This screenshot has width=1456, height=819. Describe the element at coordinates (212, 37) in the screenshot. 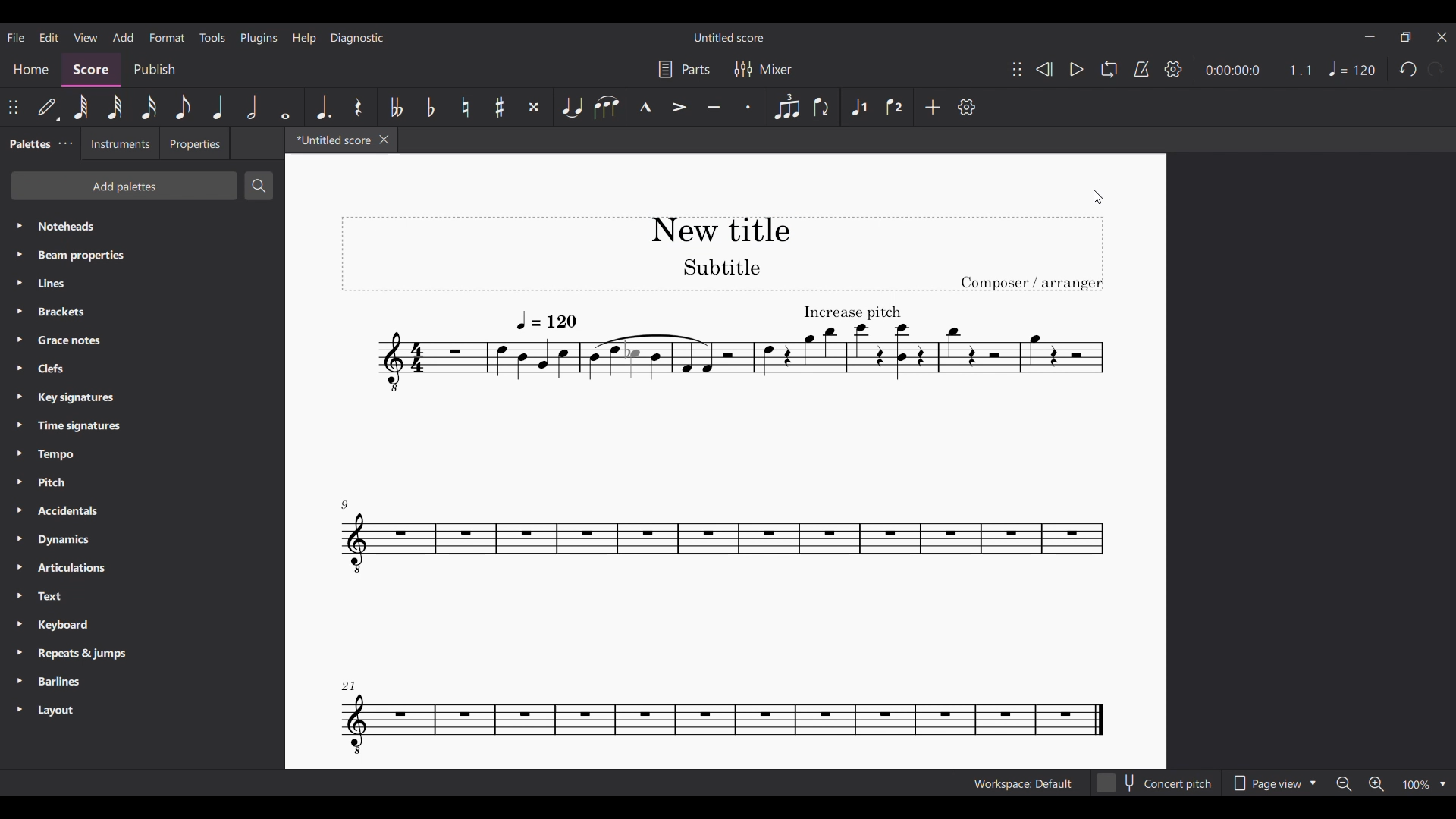

I see `Tools menu` at that location.